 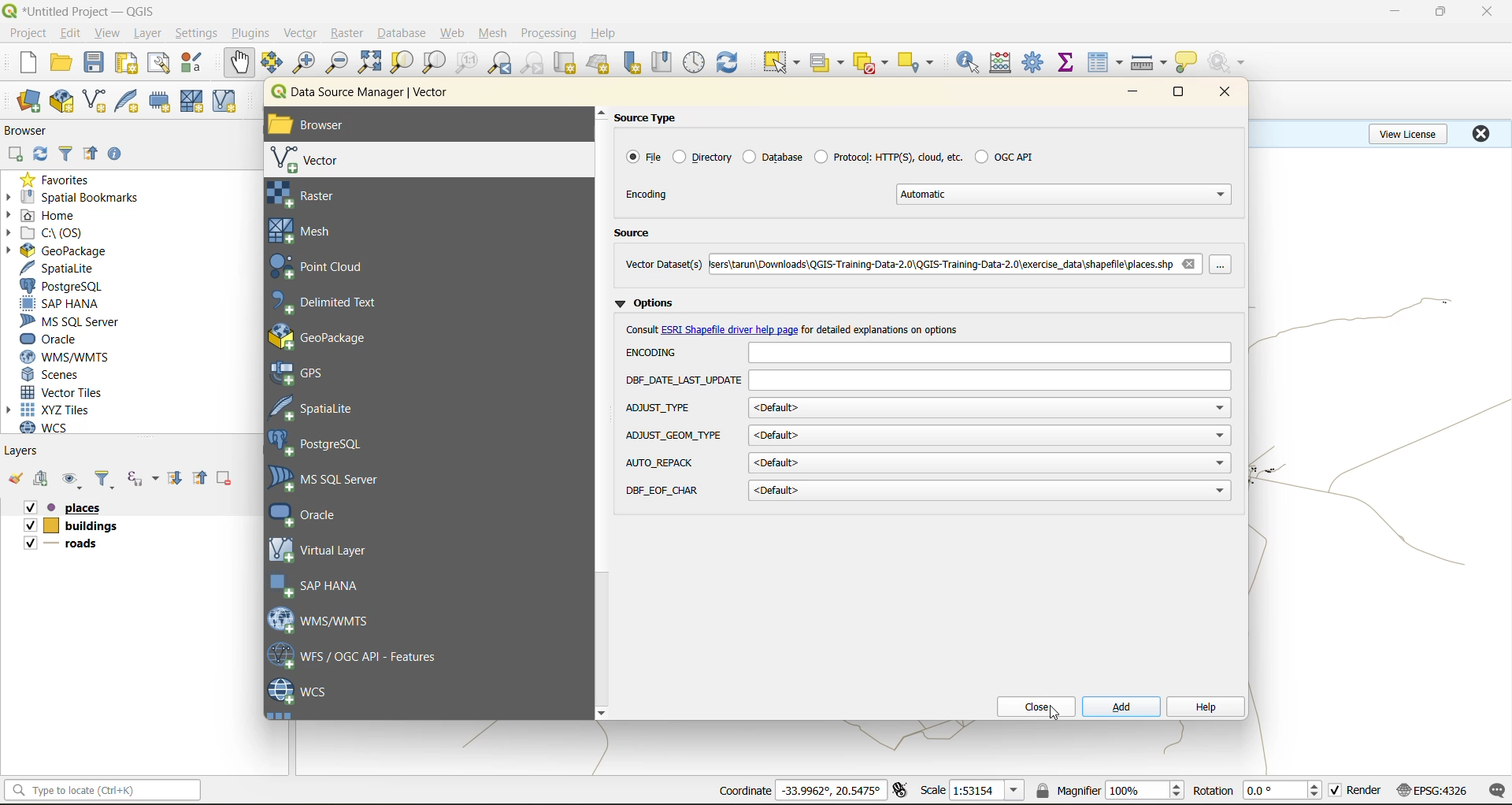 I want to click on wms/wmts, so click(x=71, y=357).